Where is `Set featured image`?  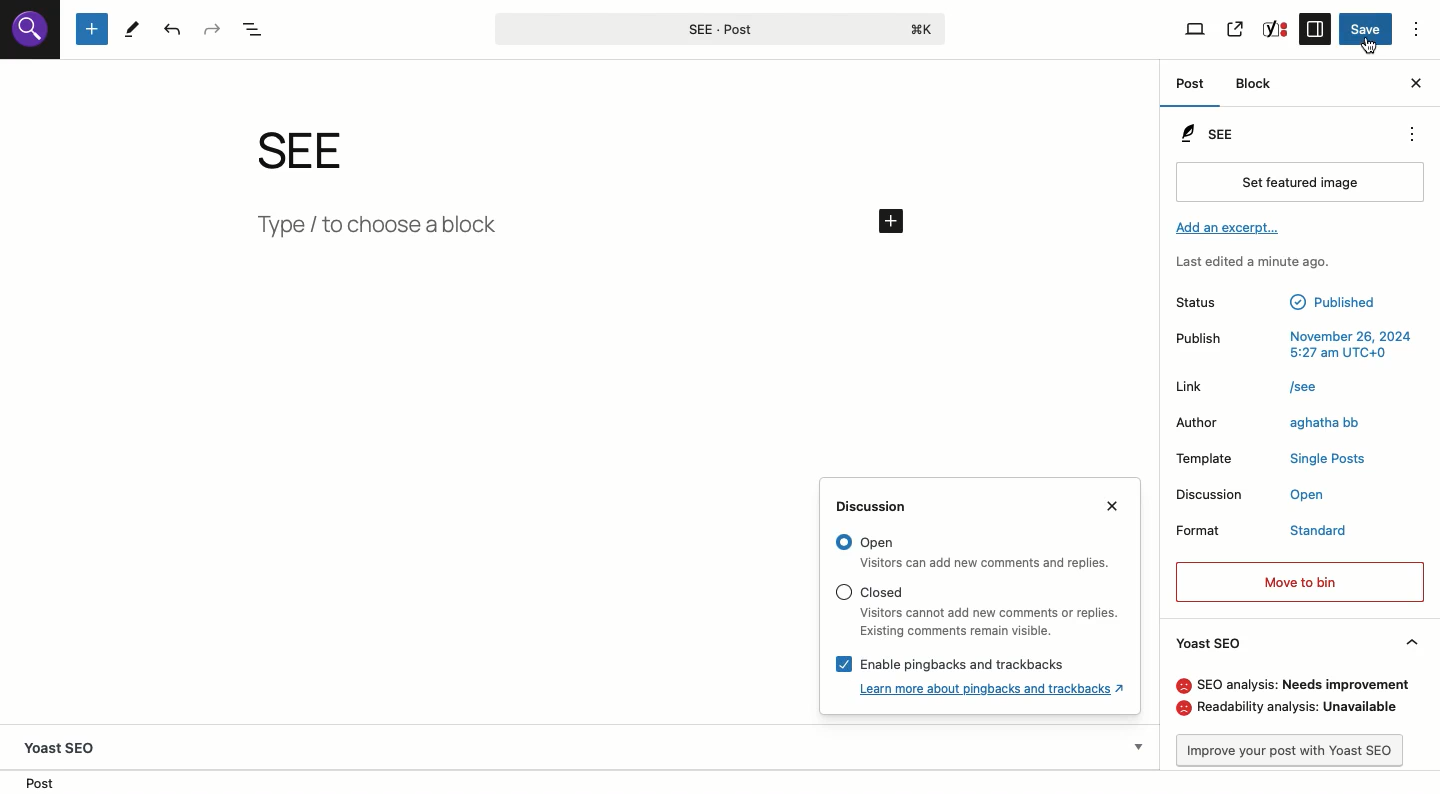 Set featured image is located at coordinates (1299, 184).